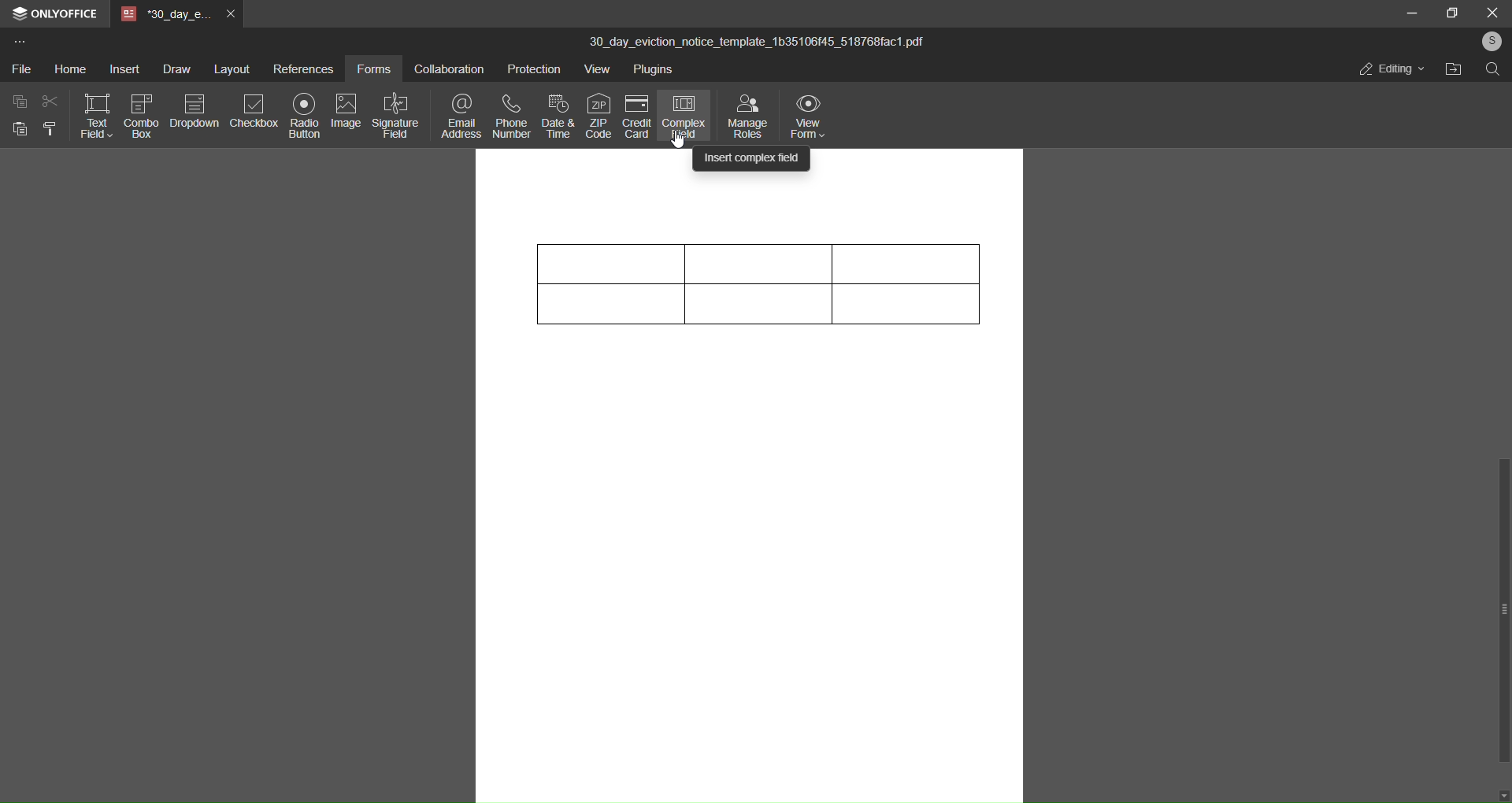  What do you see at coordinates (1448, 13) in the screenshot?
I see `maximize` at bounding box center [1448, 13].